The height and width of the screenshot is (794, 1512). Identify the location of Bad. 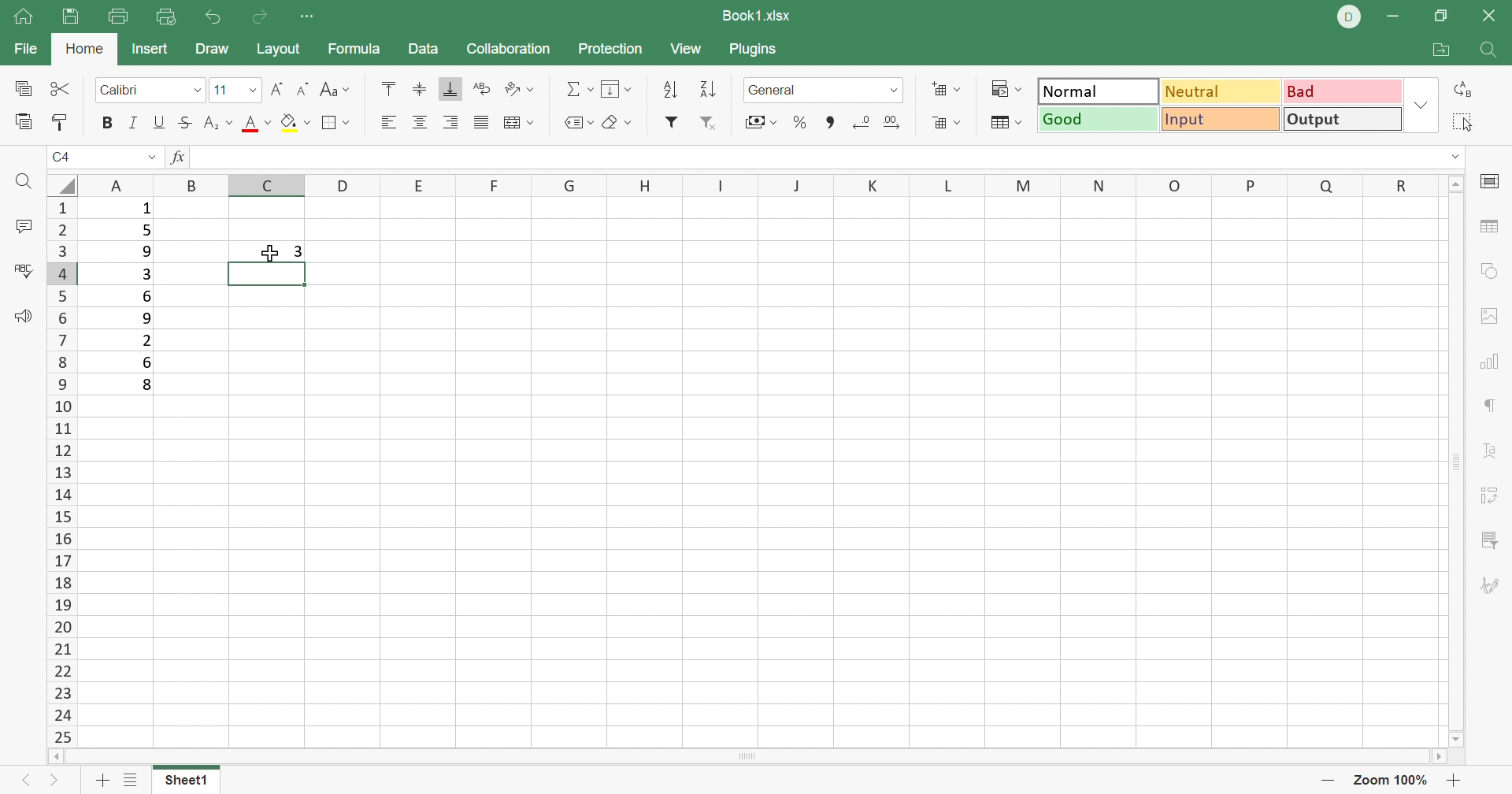
(1344, 91).